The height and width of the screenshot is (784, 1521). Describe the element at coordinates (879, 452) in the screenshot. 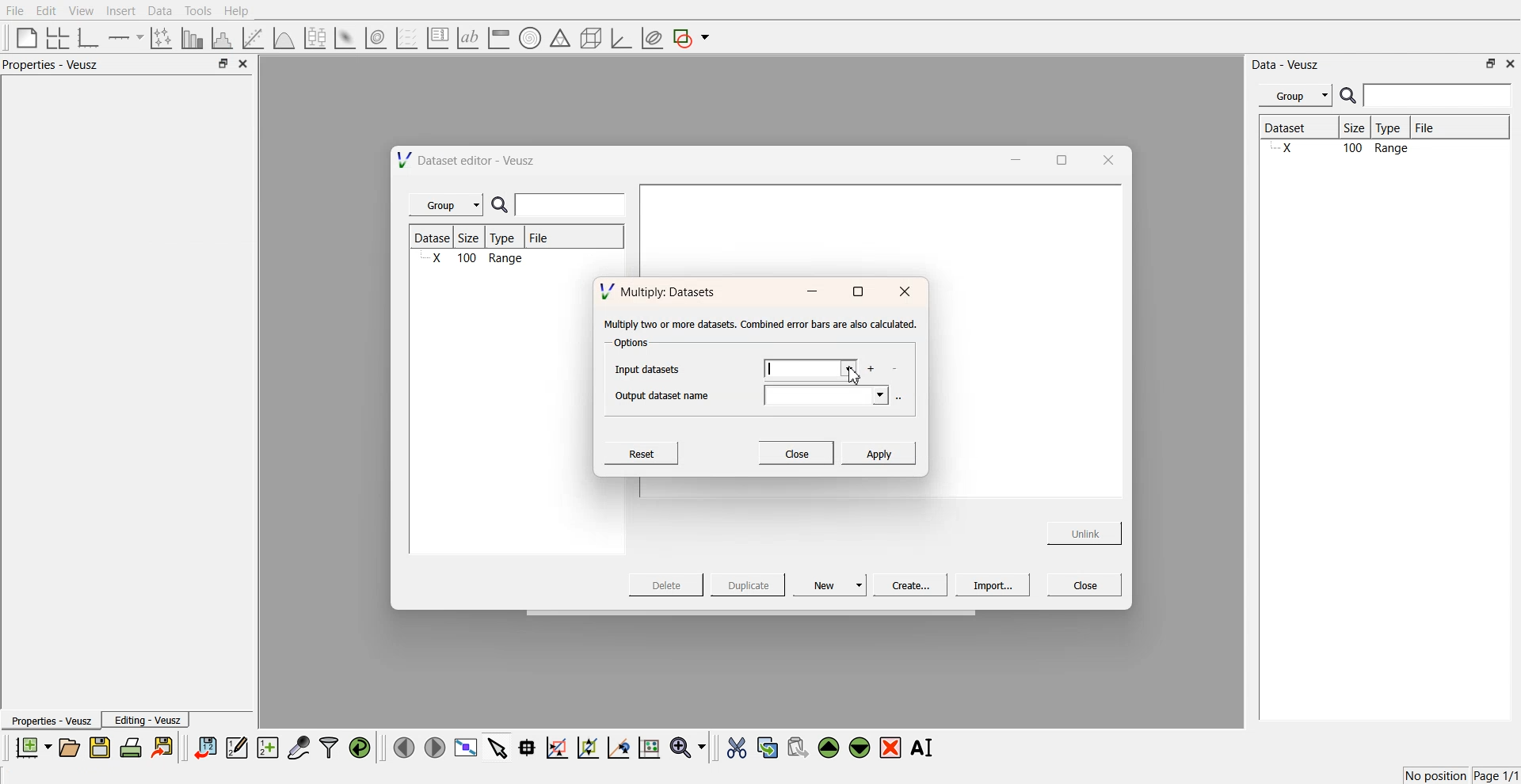

I see `Apply` at that location.